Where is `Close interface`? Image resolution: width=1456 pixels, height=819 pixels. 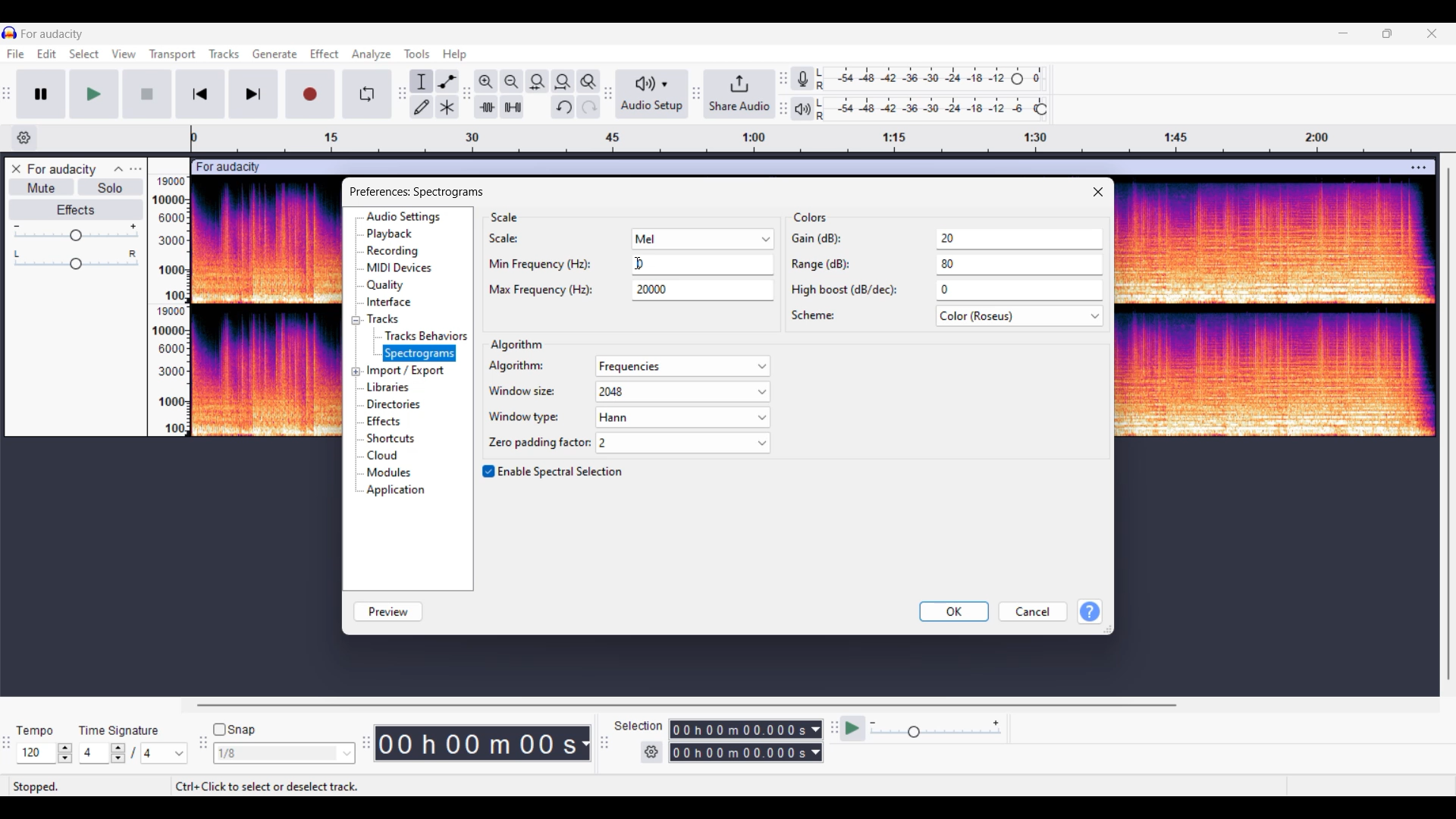 Close interface is located at coordinates (1432, 33).